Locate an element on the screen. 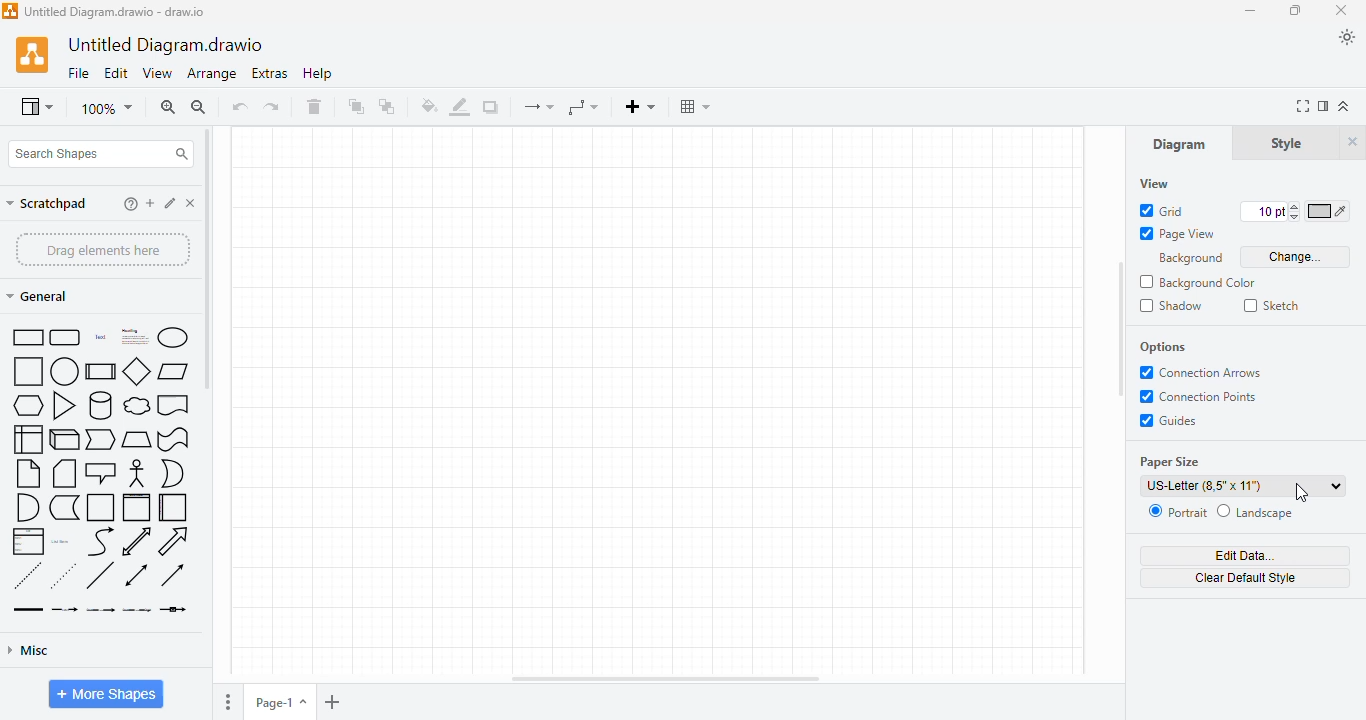 This screenshot has height=720, width=1366. US-Letter is located at coordinates (1242, 485).